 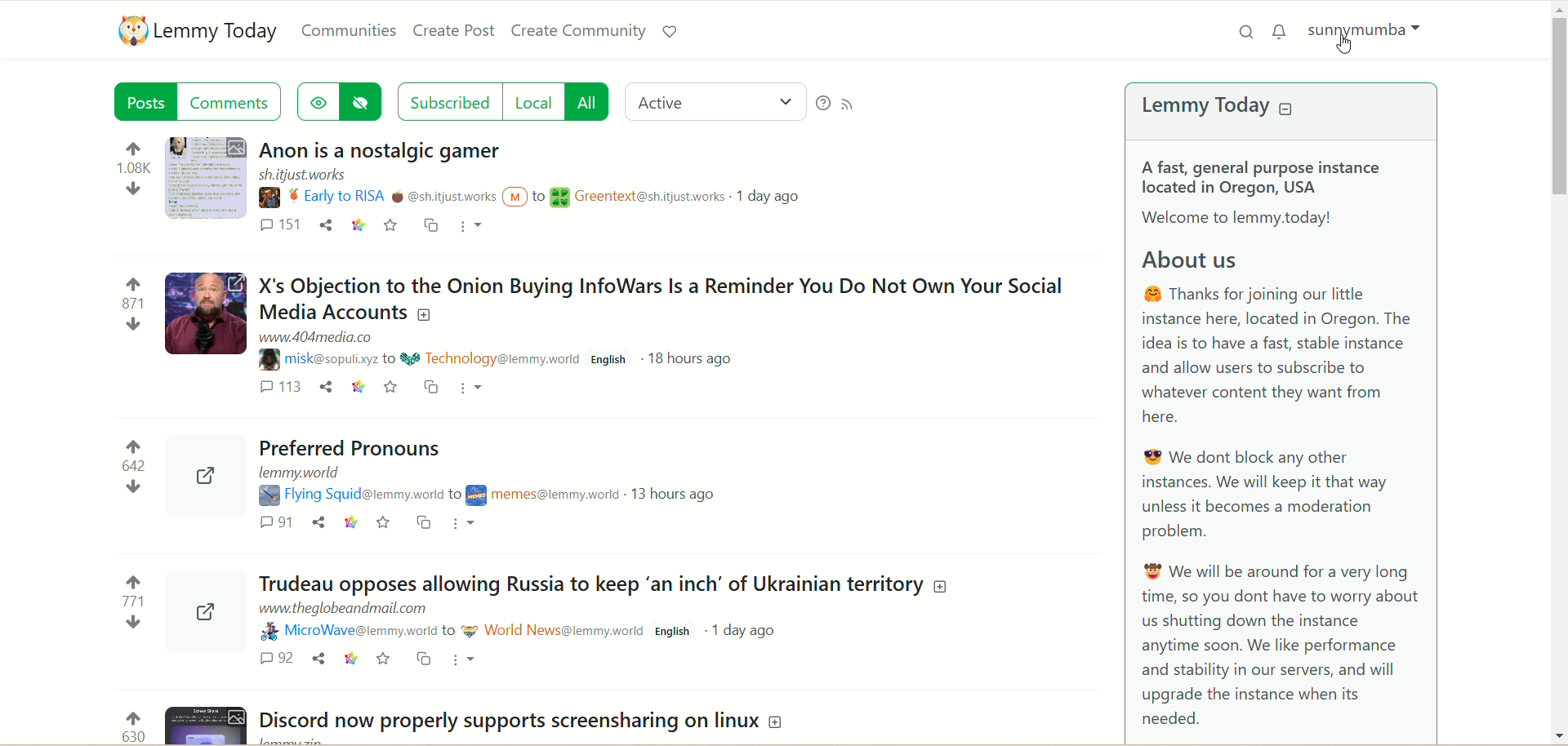 I want to click on Community, so click(x=552, y=629).